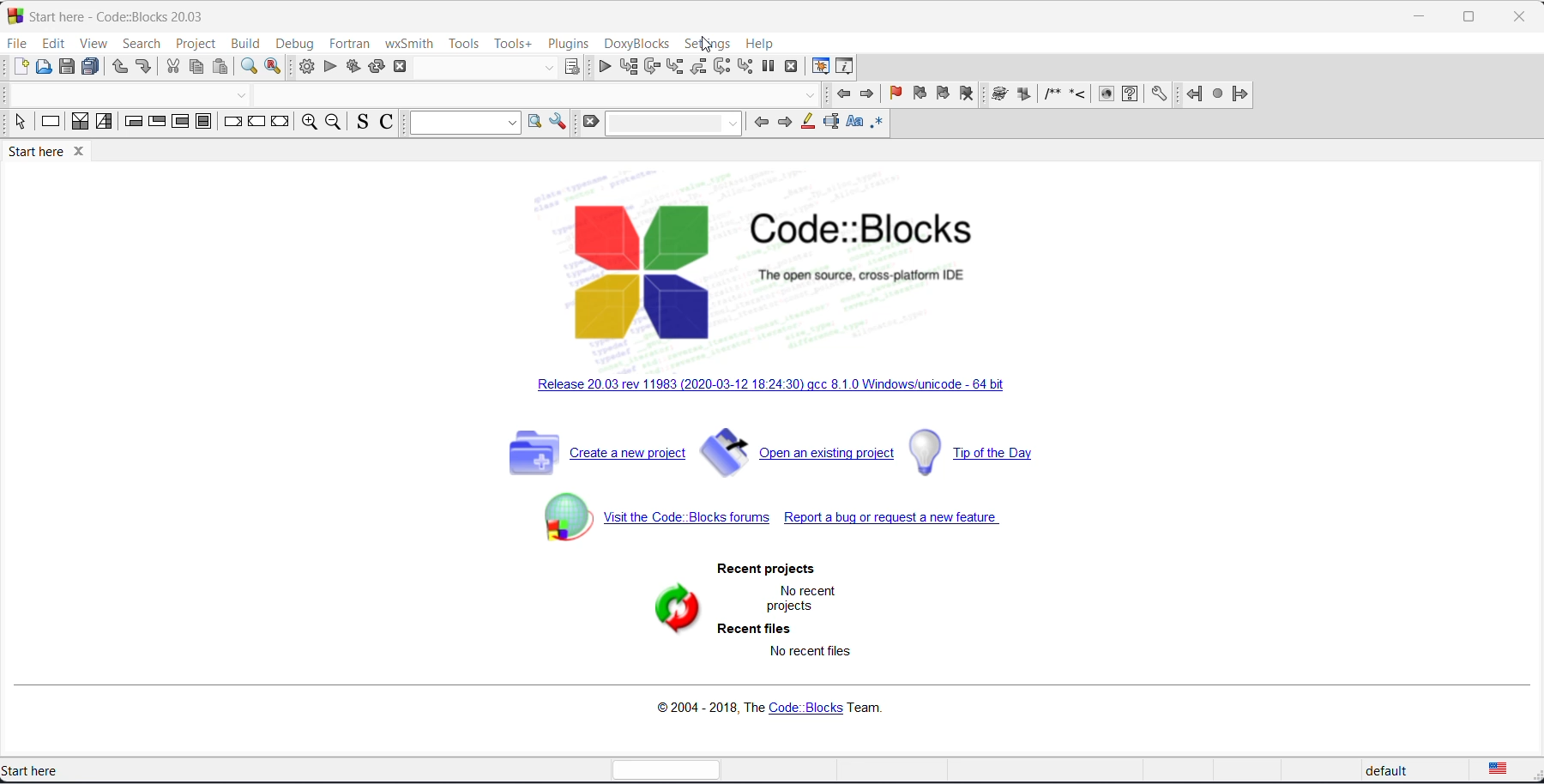 This screenshot has height=784, width=1544. I want to click on resize, so click(1469, 17).